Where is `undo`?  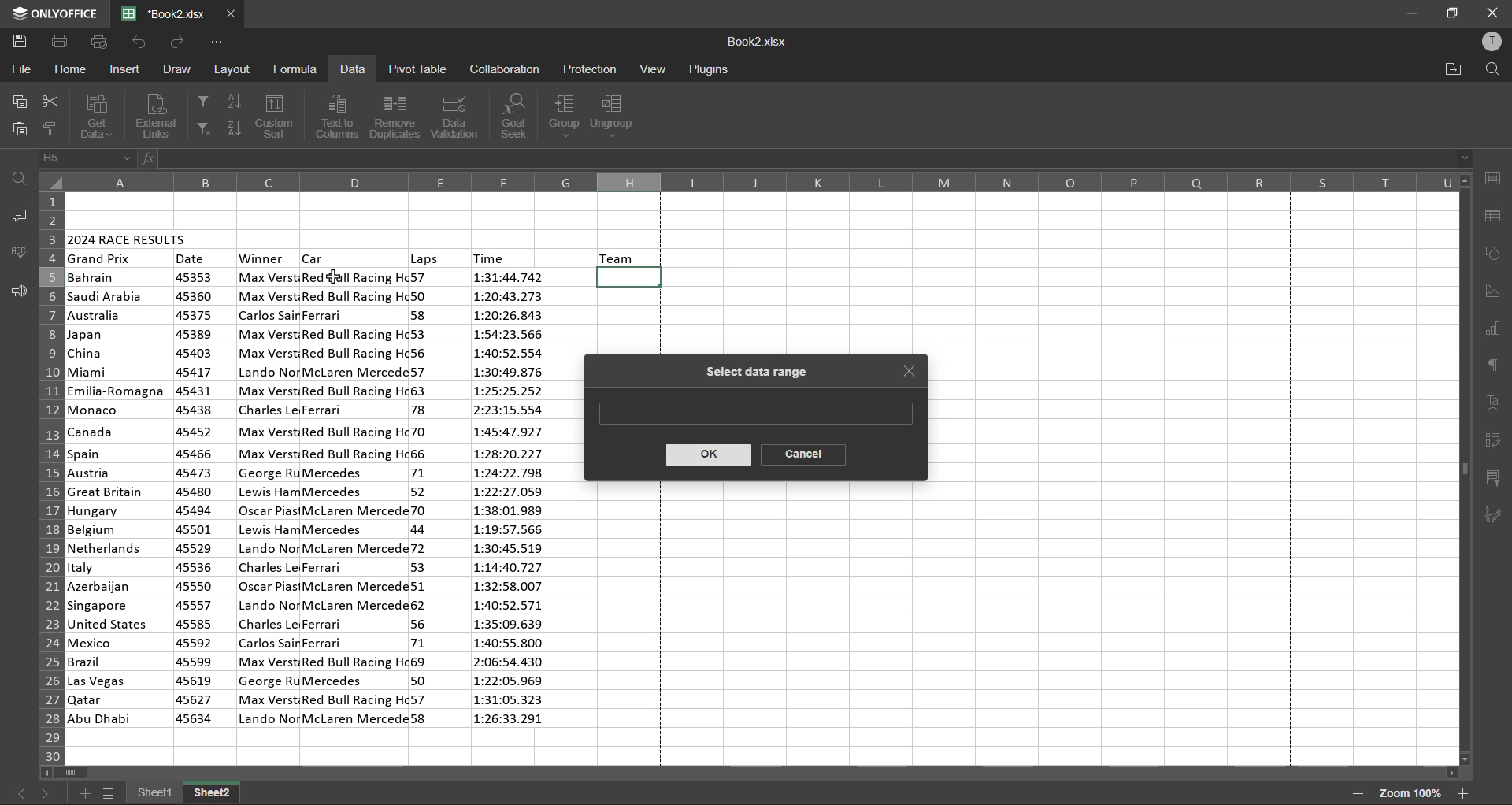
undo is located at coordinates (138, 42).